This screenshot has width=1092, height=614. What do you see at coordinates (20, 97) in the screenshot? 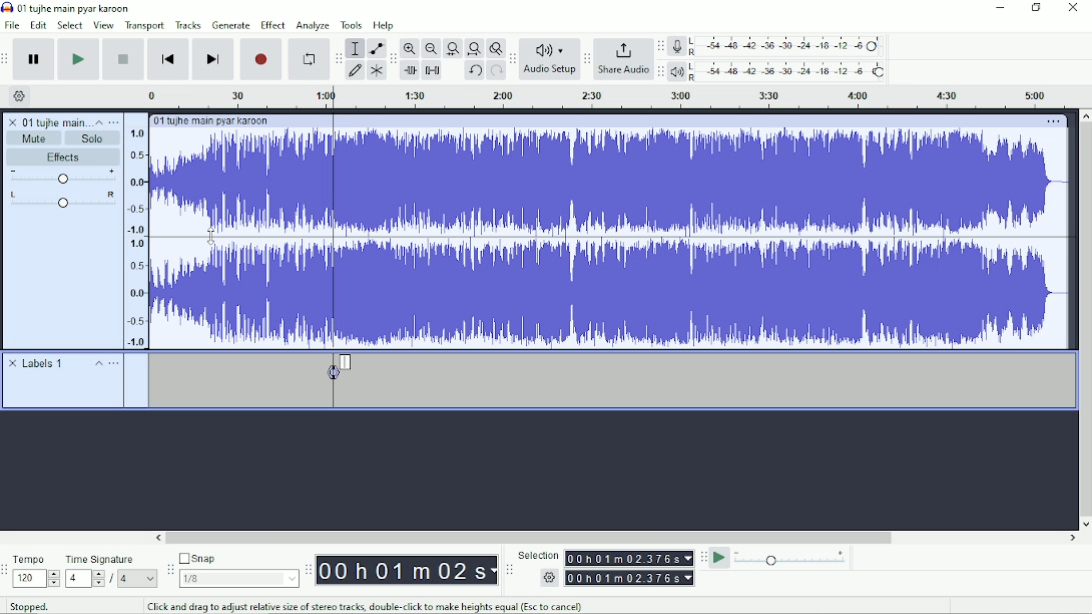
I see `Timeline options` at bounding box center [20, 97].